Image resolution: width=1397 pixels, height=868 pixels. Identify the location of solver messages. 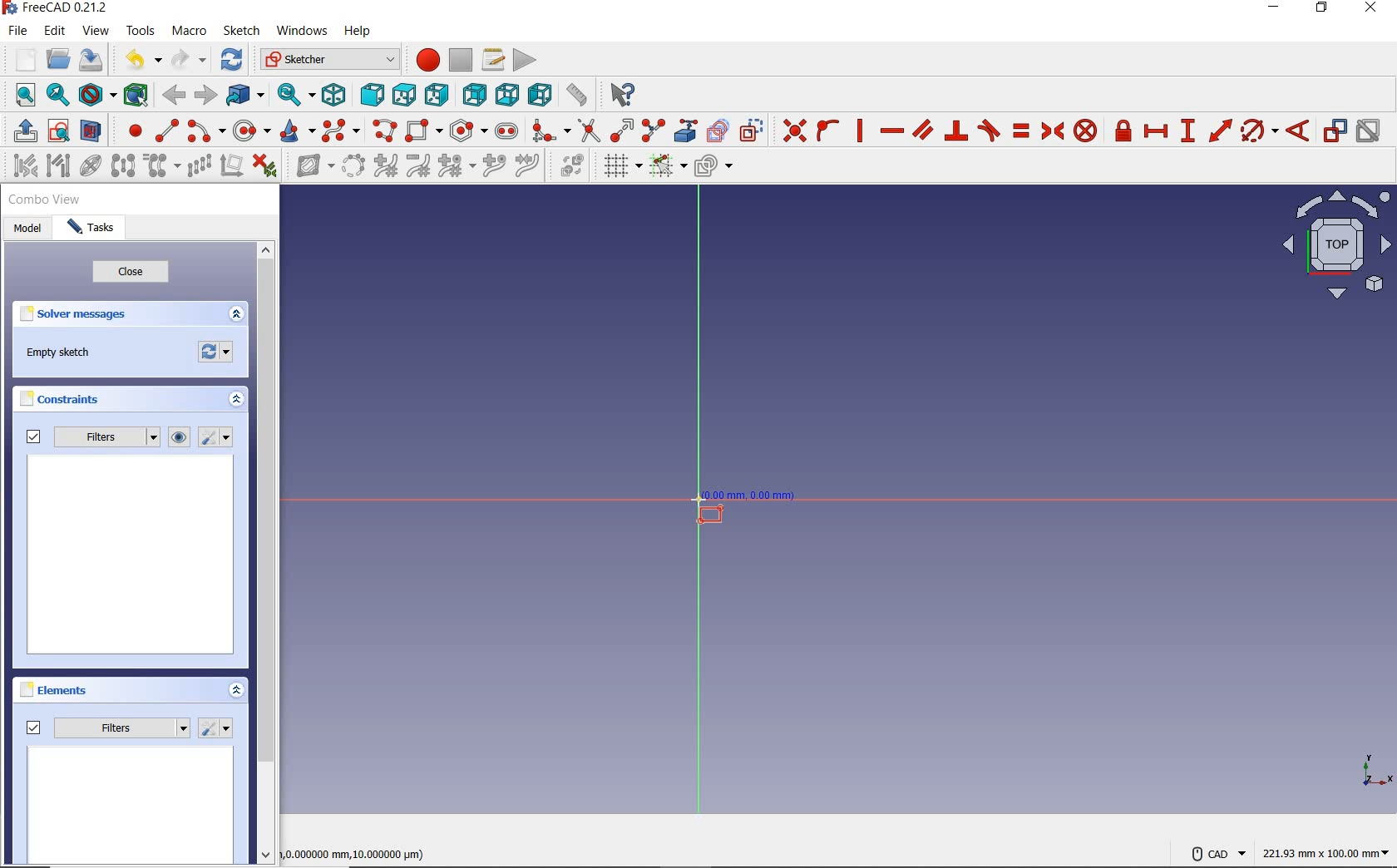
(77, 317).